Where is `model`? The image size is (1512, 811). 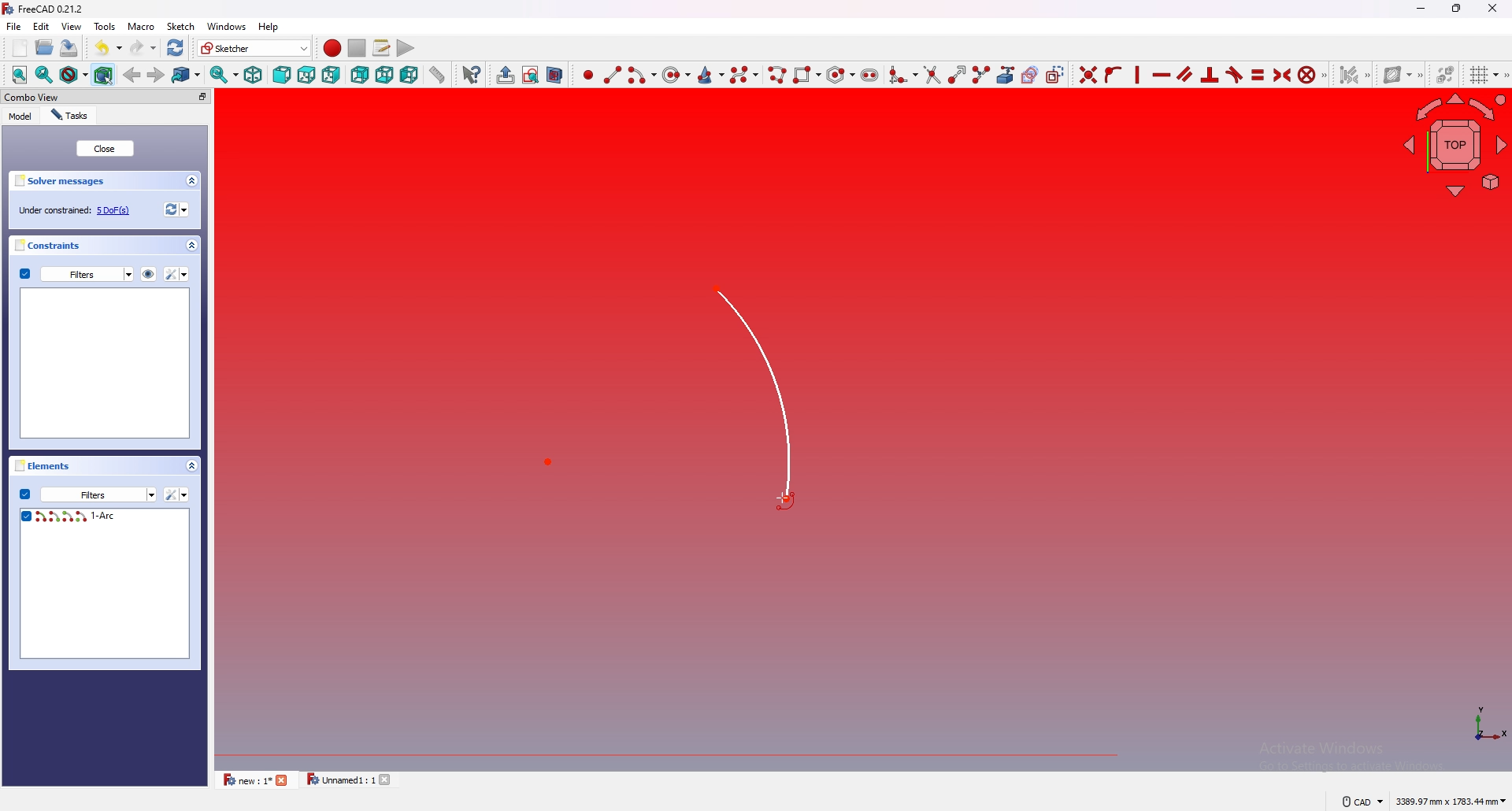 model is located at coordinates (20, 117).